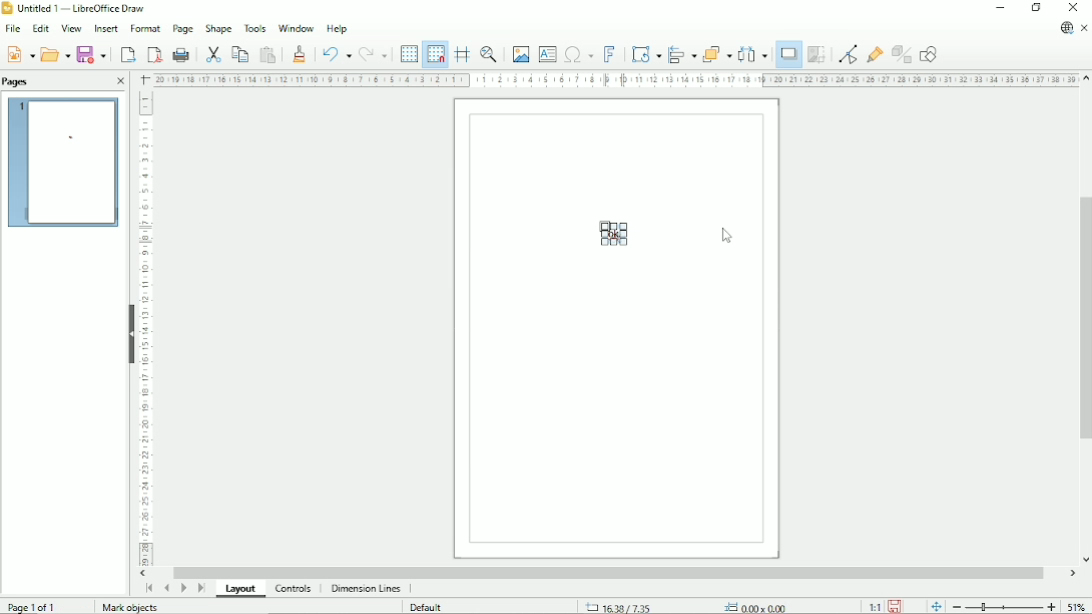  What do you see at coordinates (874, 606) in the screenshot?
I see `Scaling factor` at bounding box center [874, 606].